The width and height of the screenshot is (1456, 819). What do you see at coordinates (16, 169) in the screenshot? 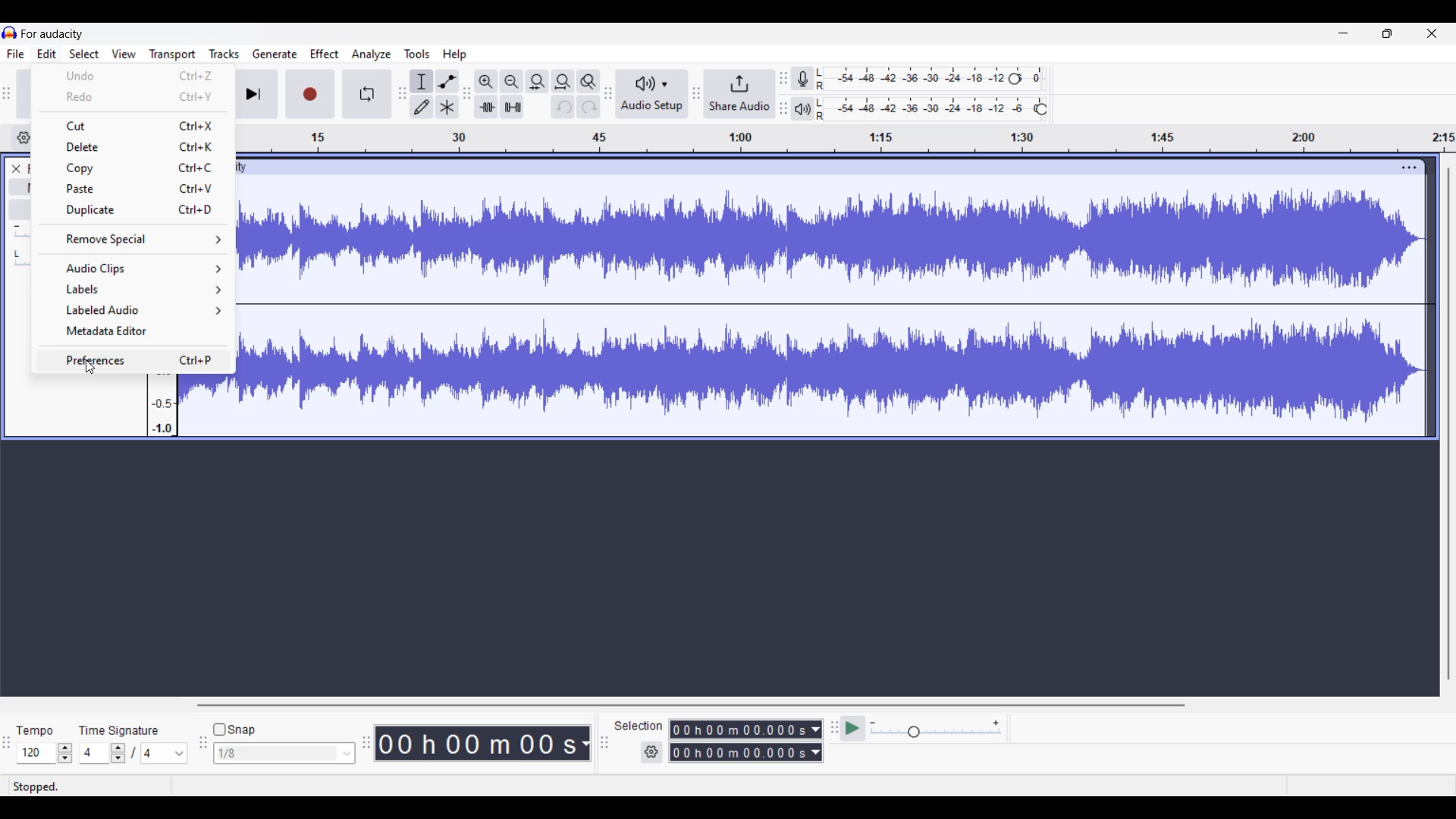
I see `Close track` at bounding box center [16, 169].